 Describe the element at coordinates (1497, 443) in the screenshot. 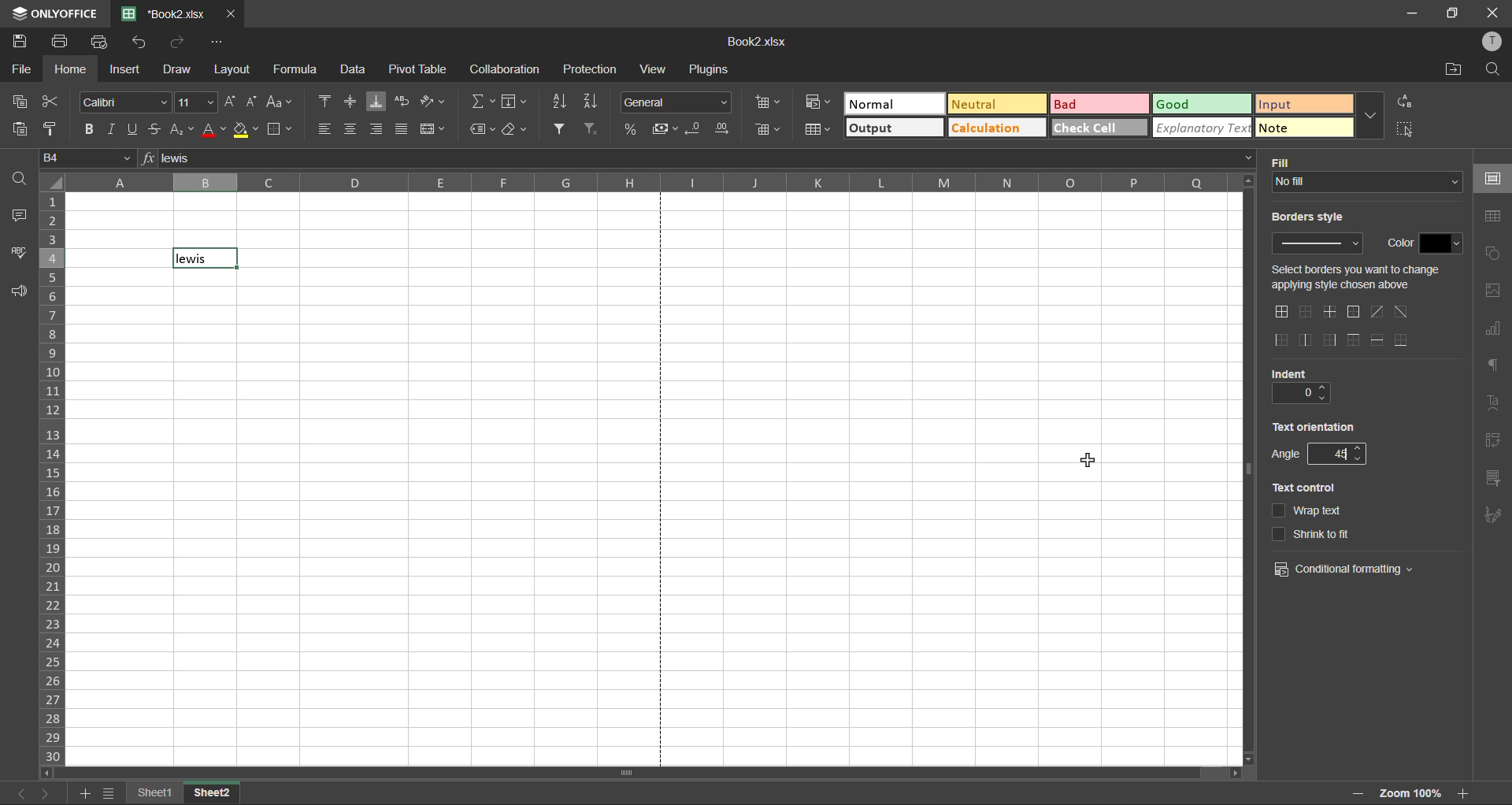

I see `pivot table` at that location.